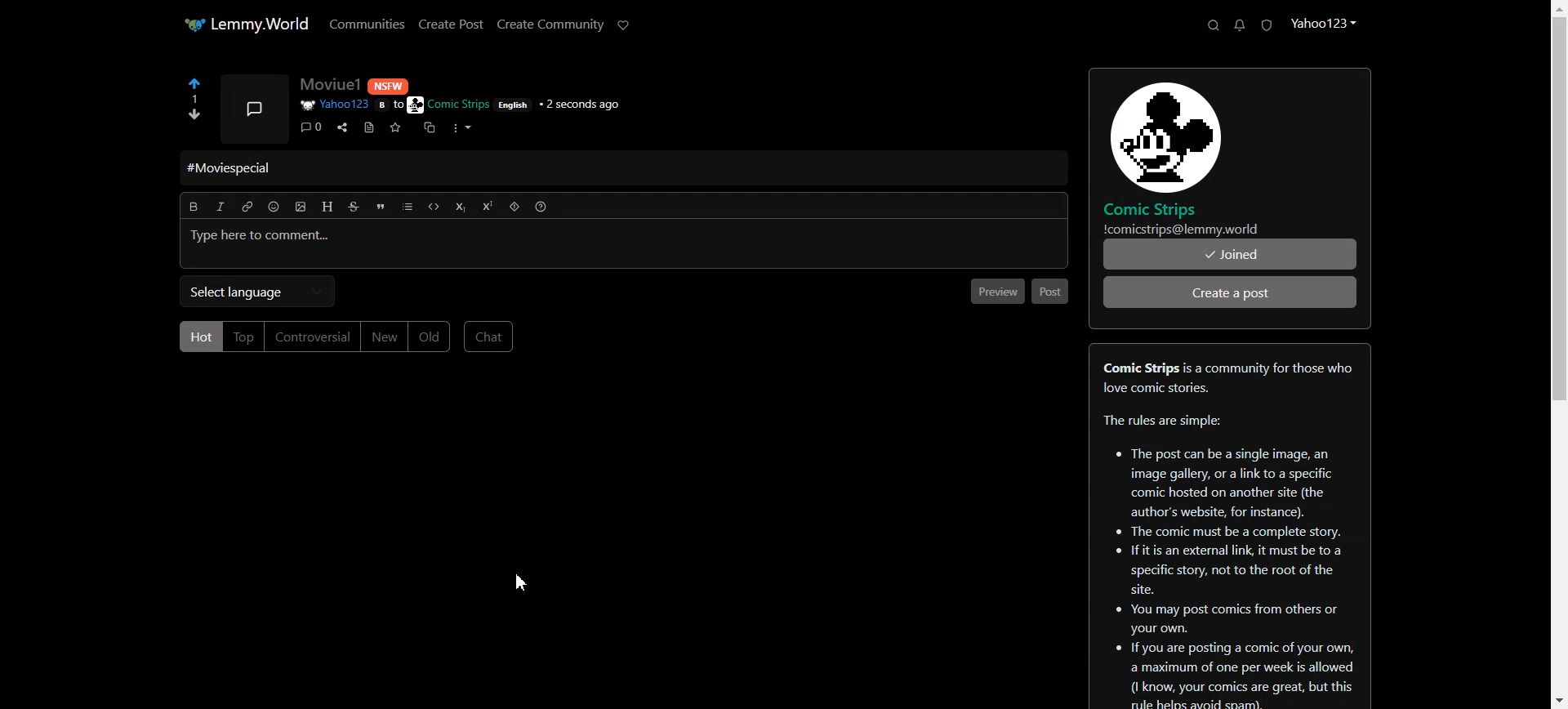 The image size is (1568, 709). Describe the element at coordinates (313, 337) in the screenshot. I see `Controversial` at that location.